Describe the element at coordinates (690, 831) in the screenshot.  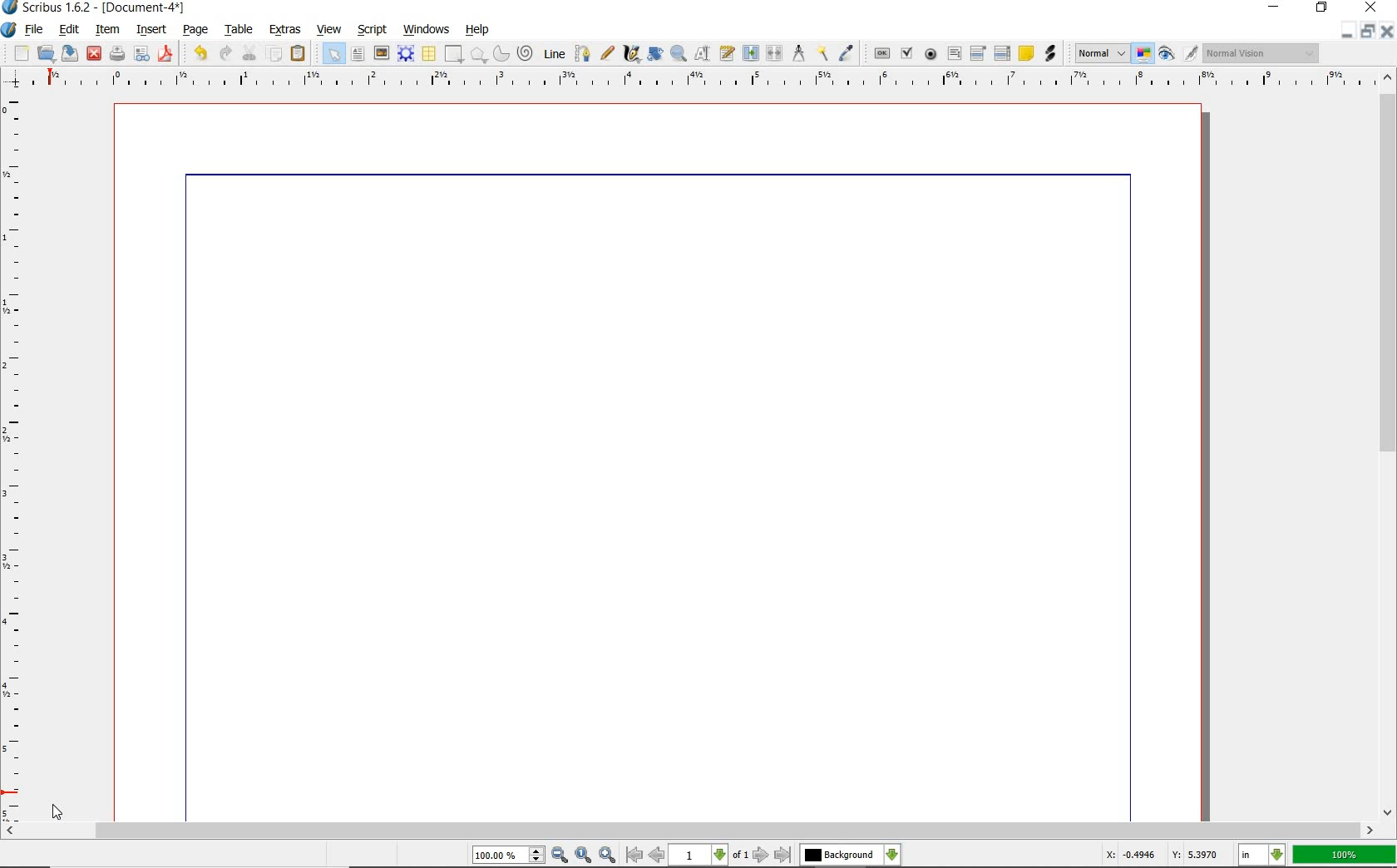
I see `scrollbar` at that location.